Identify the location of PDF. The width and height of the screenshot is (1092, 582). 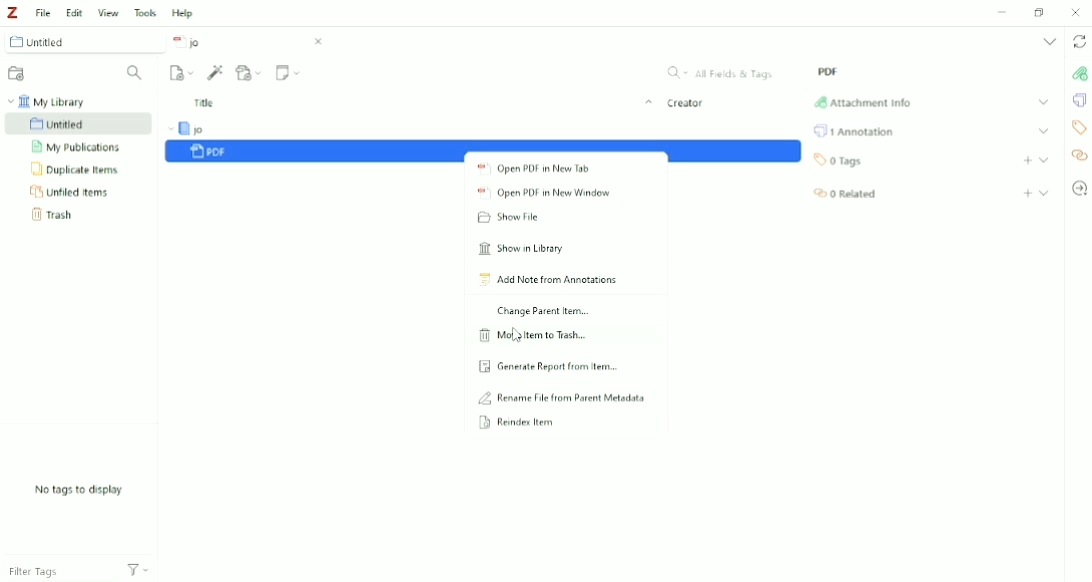
(484, 151).